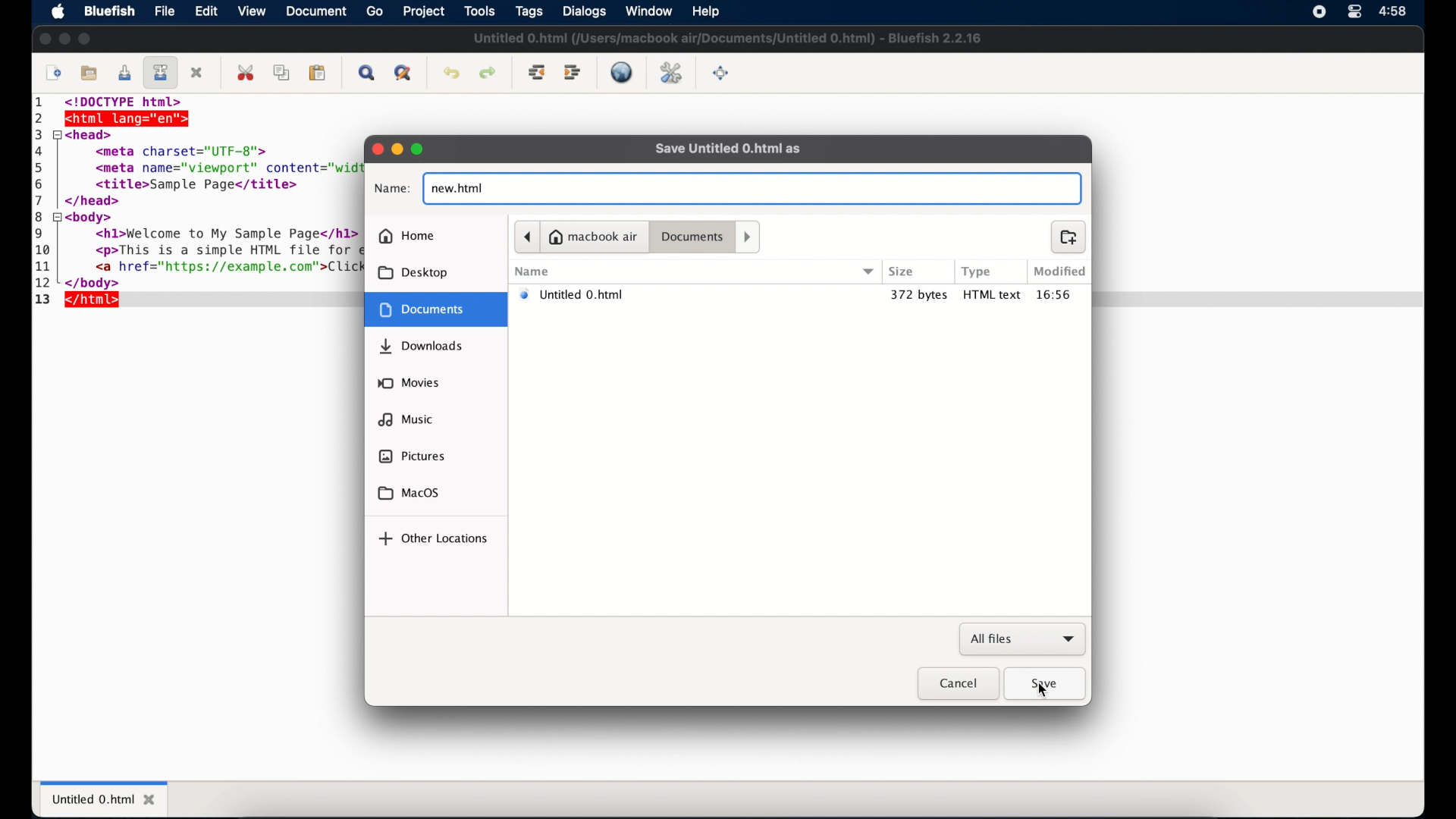 This screenshot has height=819, width=1456. What do you see at coordinates (368, 73) in the screenshot?
I see `show find bar` at bounding box center [368, 73].